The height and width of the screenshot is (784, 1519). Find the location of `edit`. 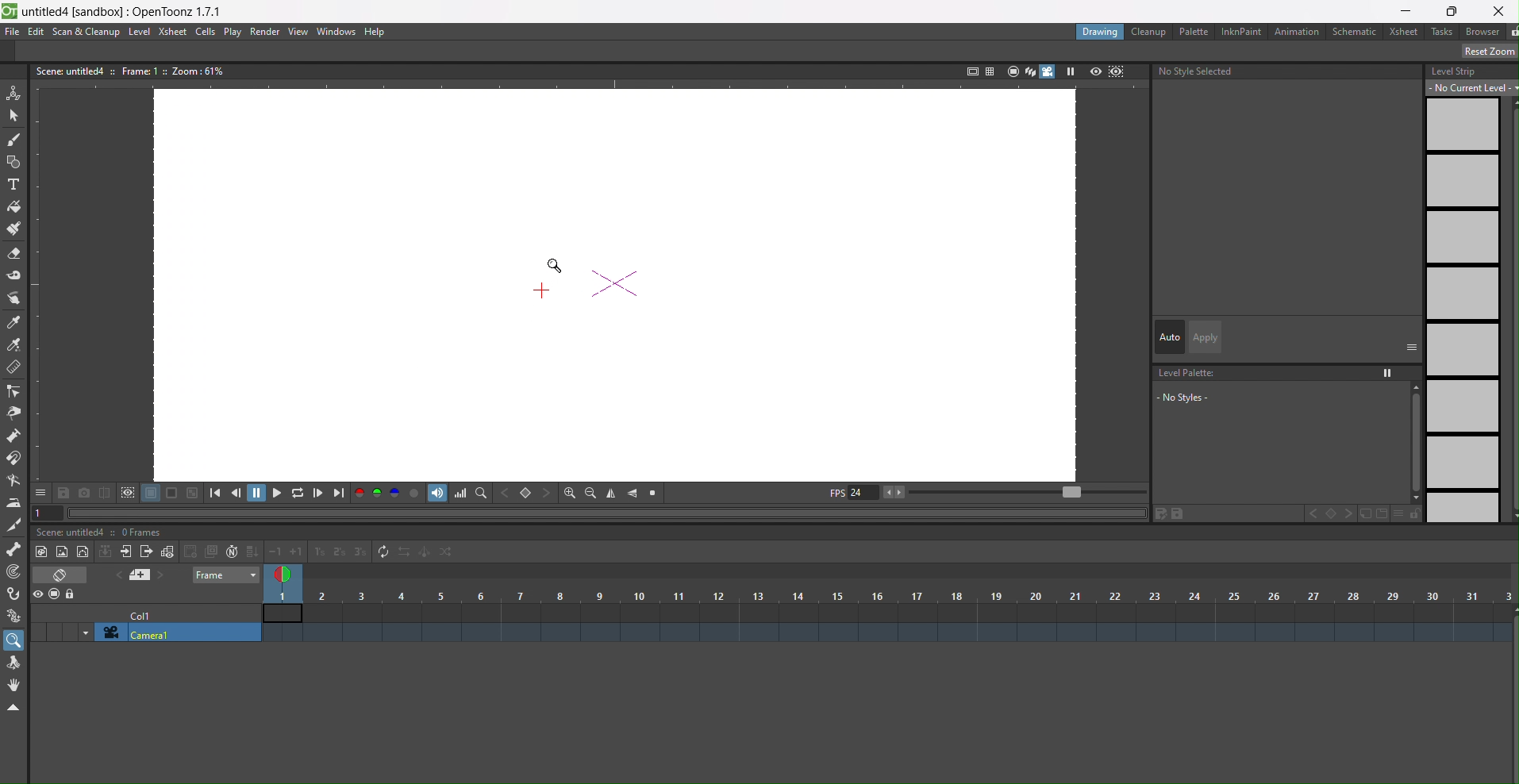

edit is located at coordinates (37, 31).